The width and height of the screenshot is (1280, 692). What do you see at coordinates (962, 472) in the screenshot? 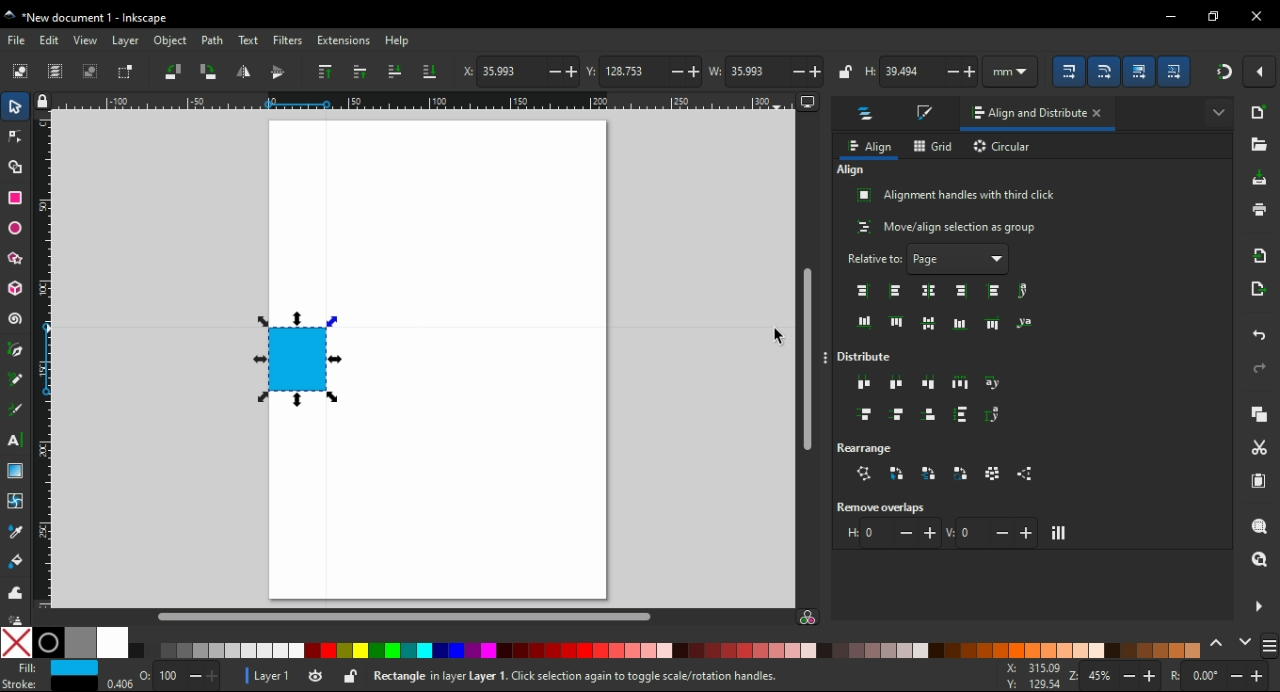
I see `exchange positions of selected objects - rotate around center point` at bounding box center [962, 472].